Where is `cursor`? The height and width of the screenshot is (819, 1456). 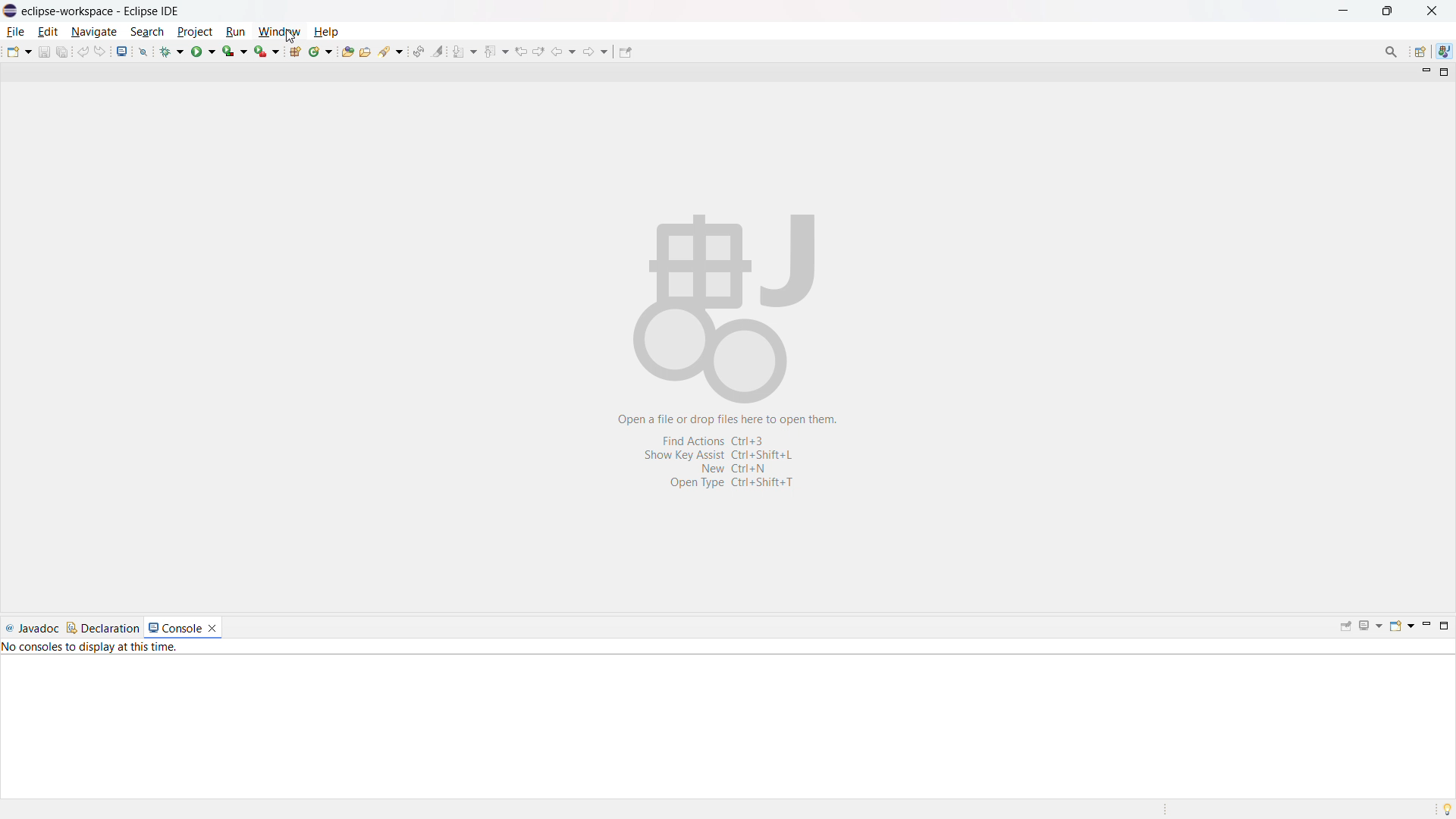
cursor is located at coordinates (292, 37).